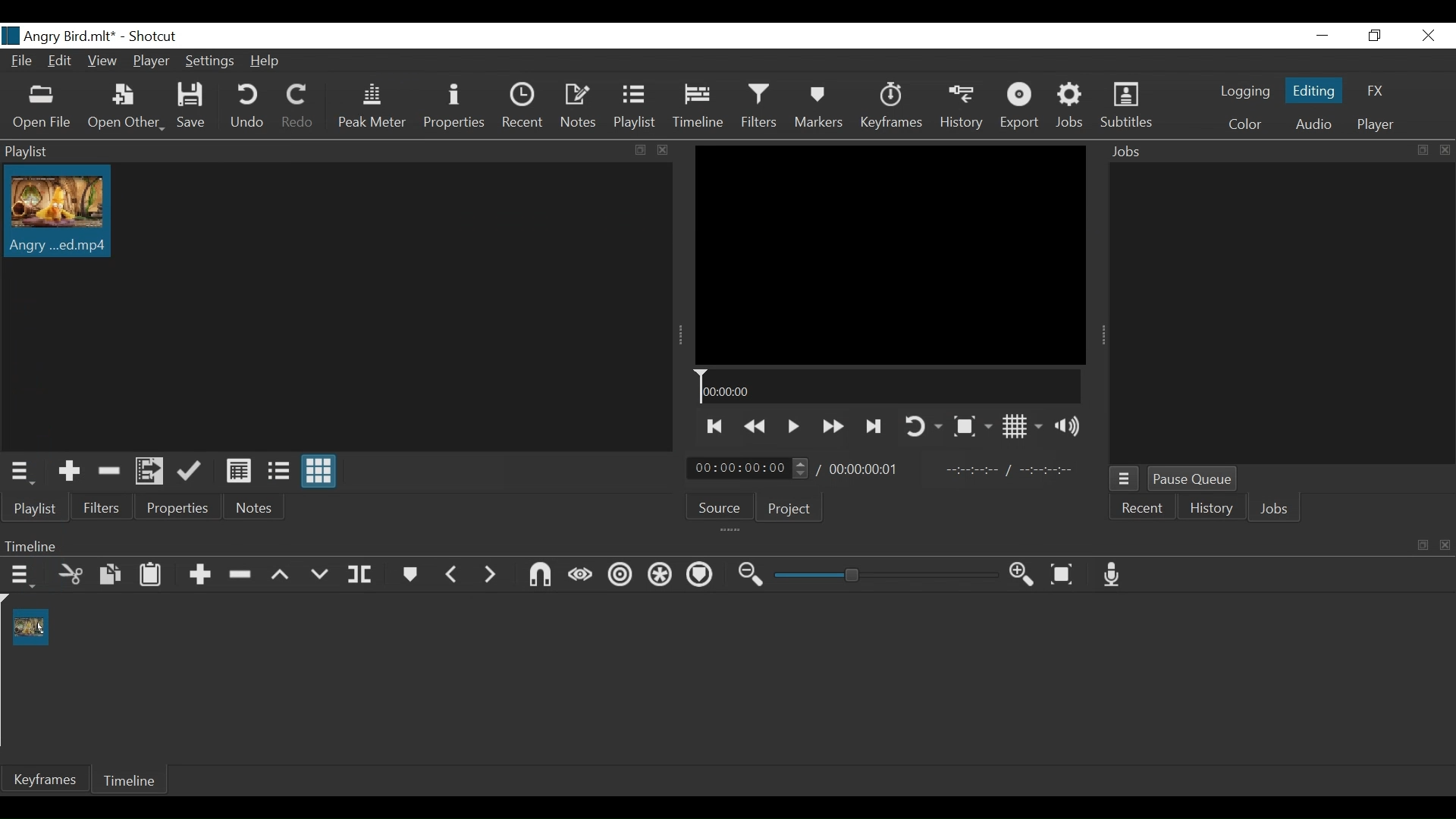 This screenshot has width=1456, height=819. What do you see at coordinates (320, 472) in the screenshot?
I see `View as icons` at bounding box center [320, 472].